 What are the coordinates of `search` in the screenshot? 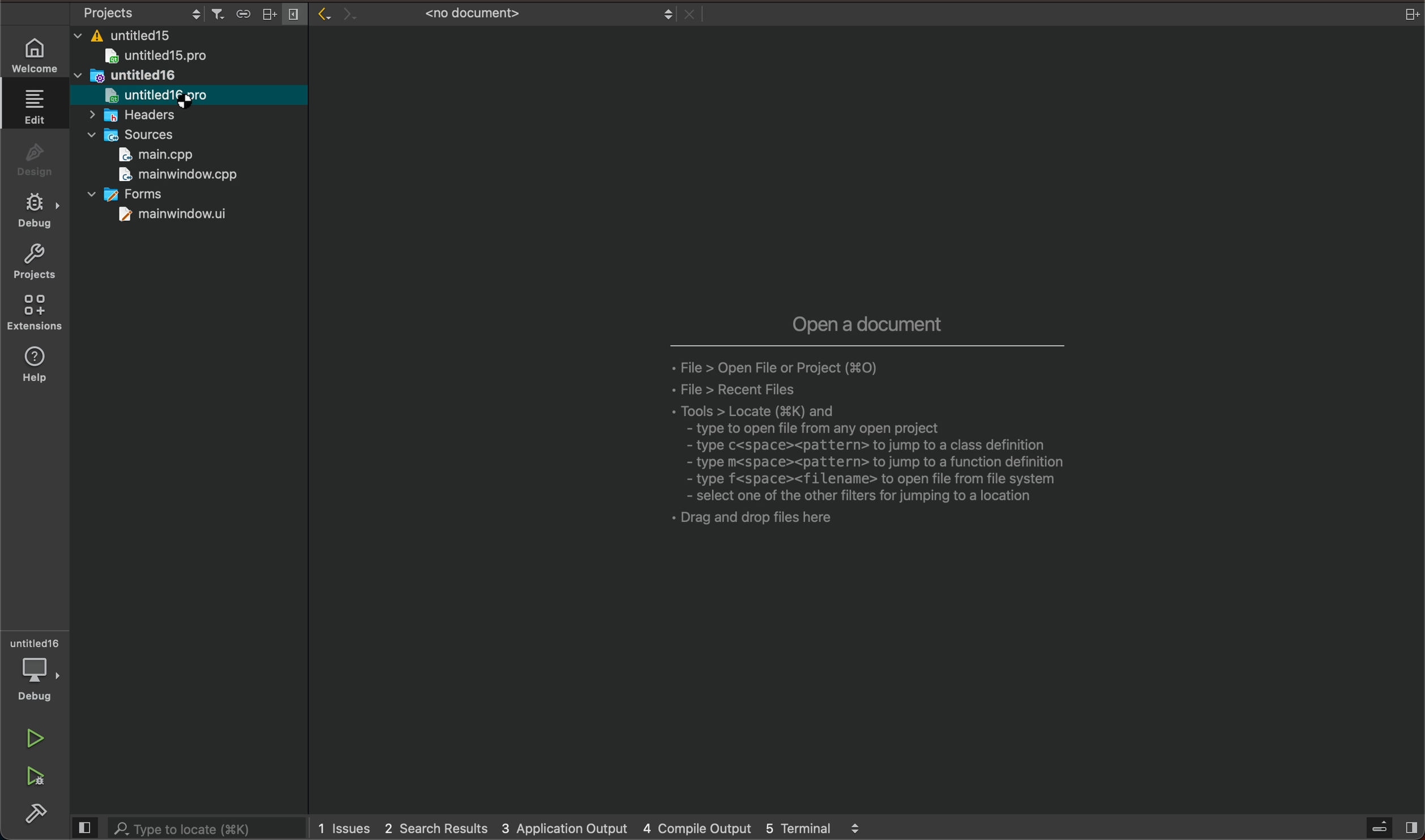 It's located at (186, 828).